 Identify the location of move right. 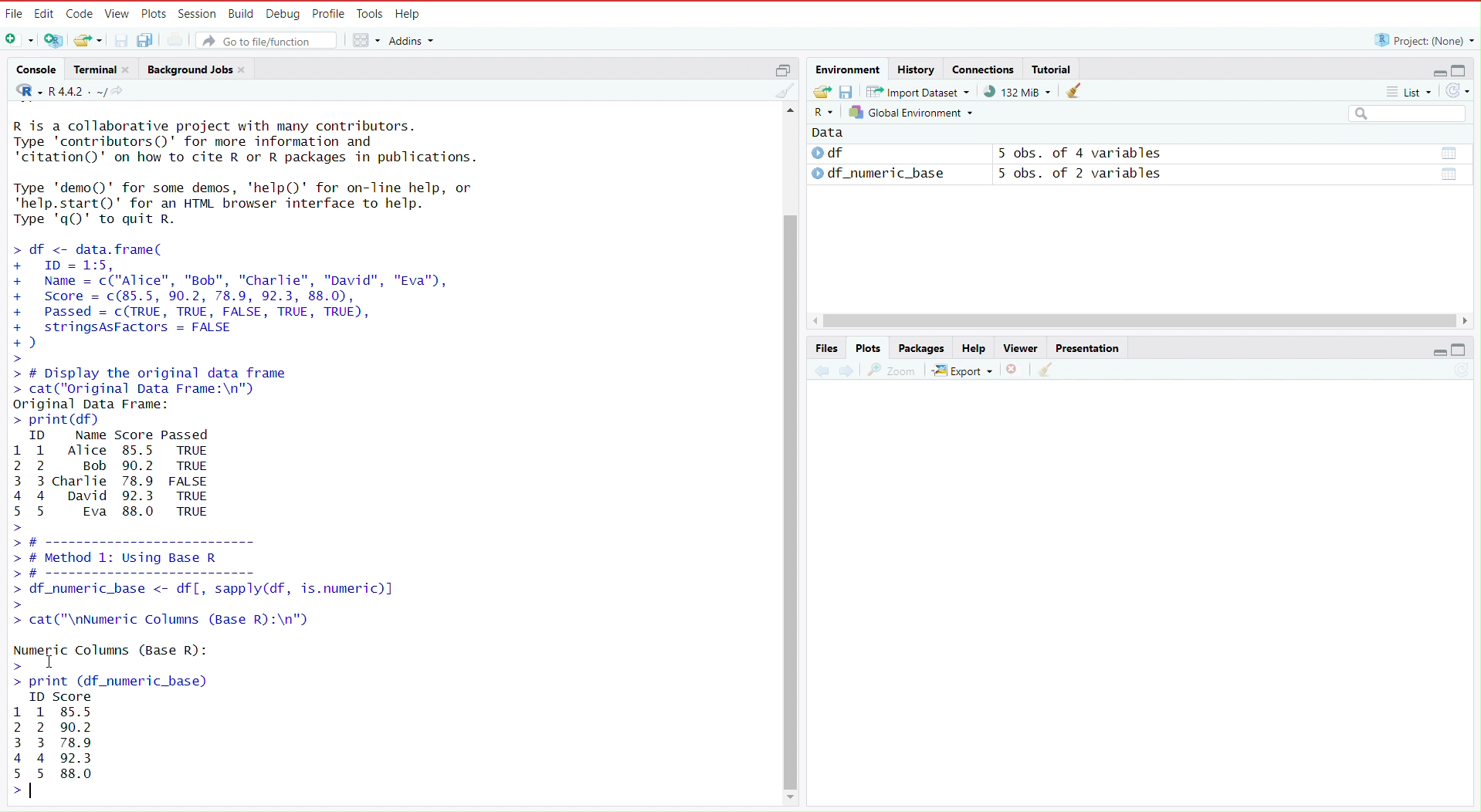
(1471, 322).